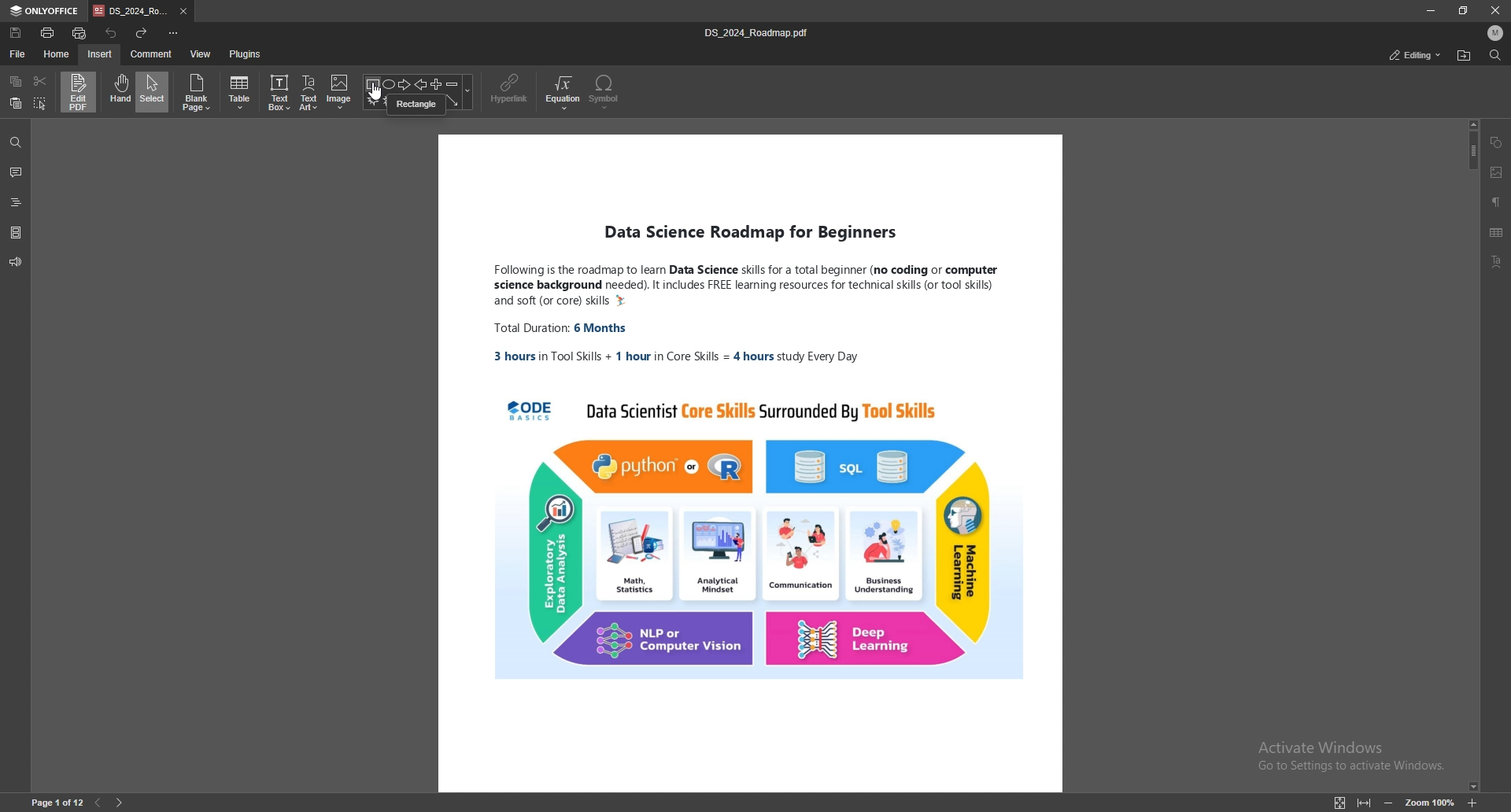  What do you see at coordinates (201, 54) in the screenshot?
I see `view` at bounding box center [201, 54].